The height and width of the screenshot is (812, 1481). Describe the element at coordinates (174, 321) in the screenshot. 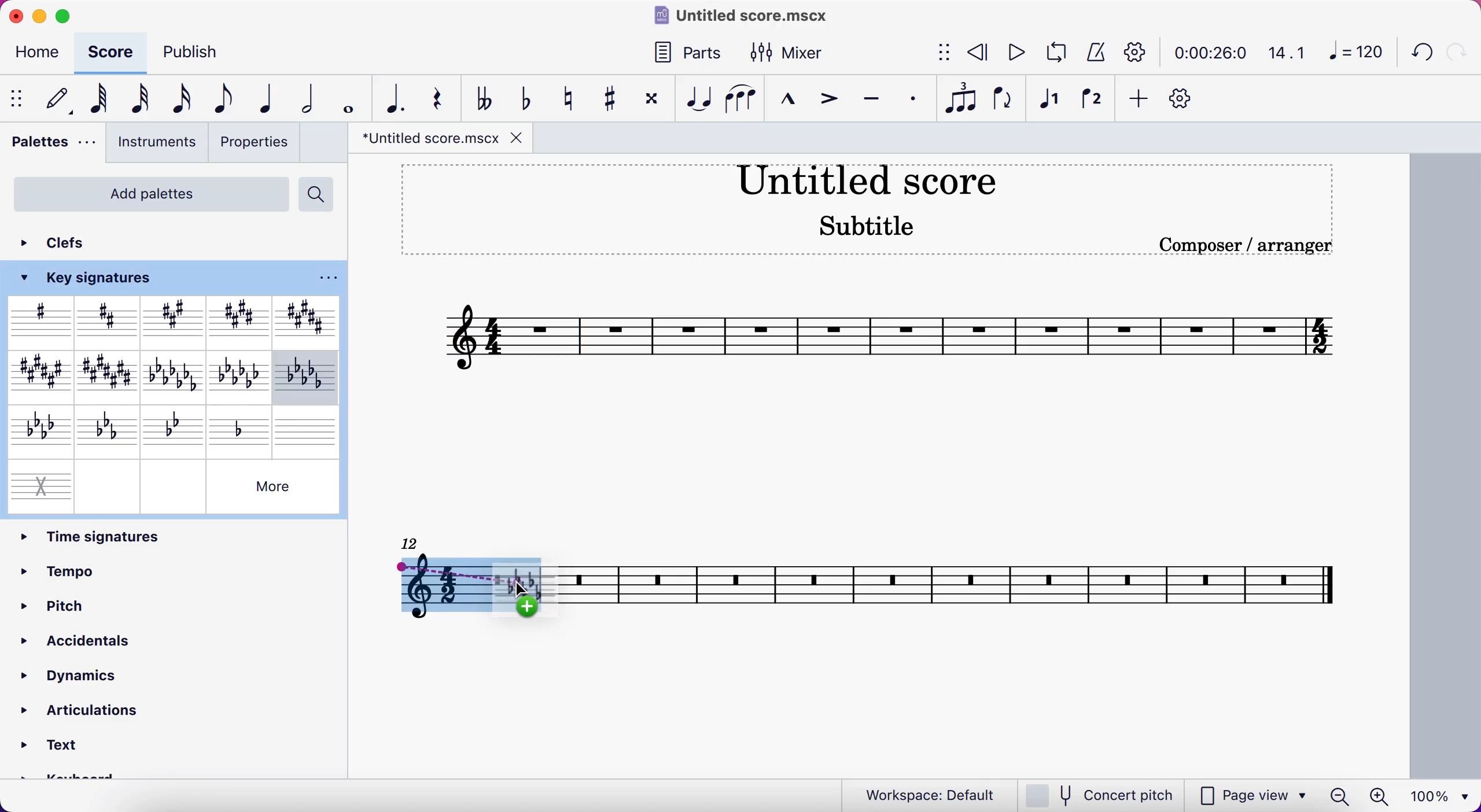

I see `A major` at that location.